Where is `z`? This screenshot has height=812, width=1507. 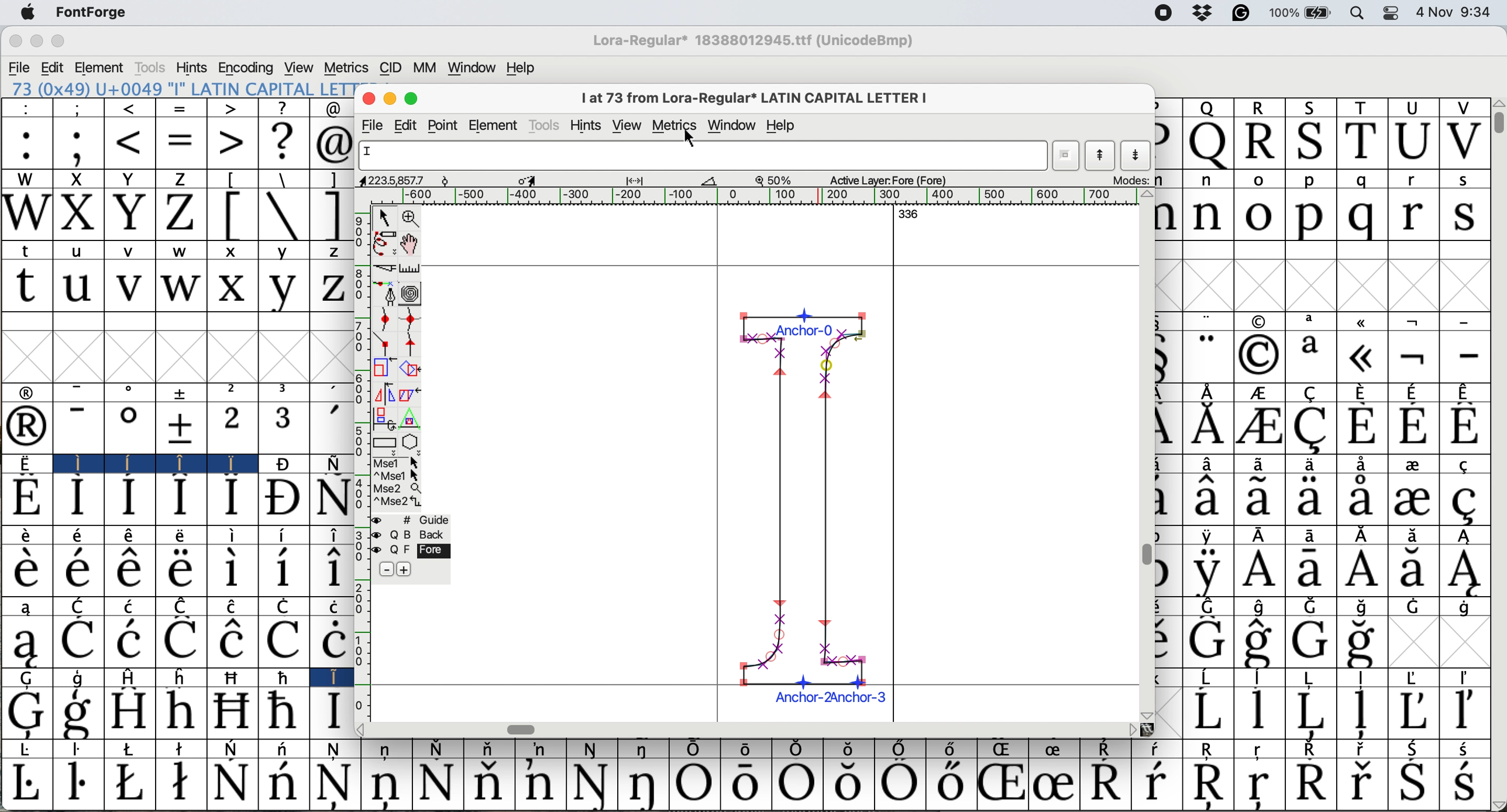 z is located at coordinates (329, 288).